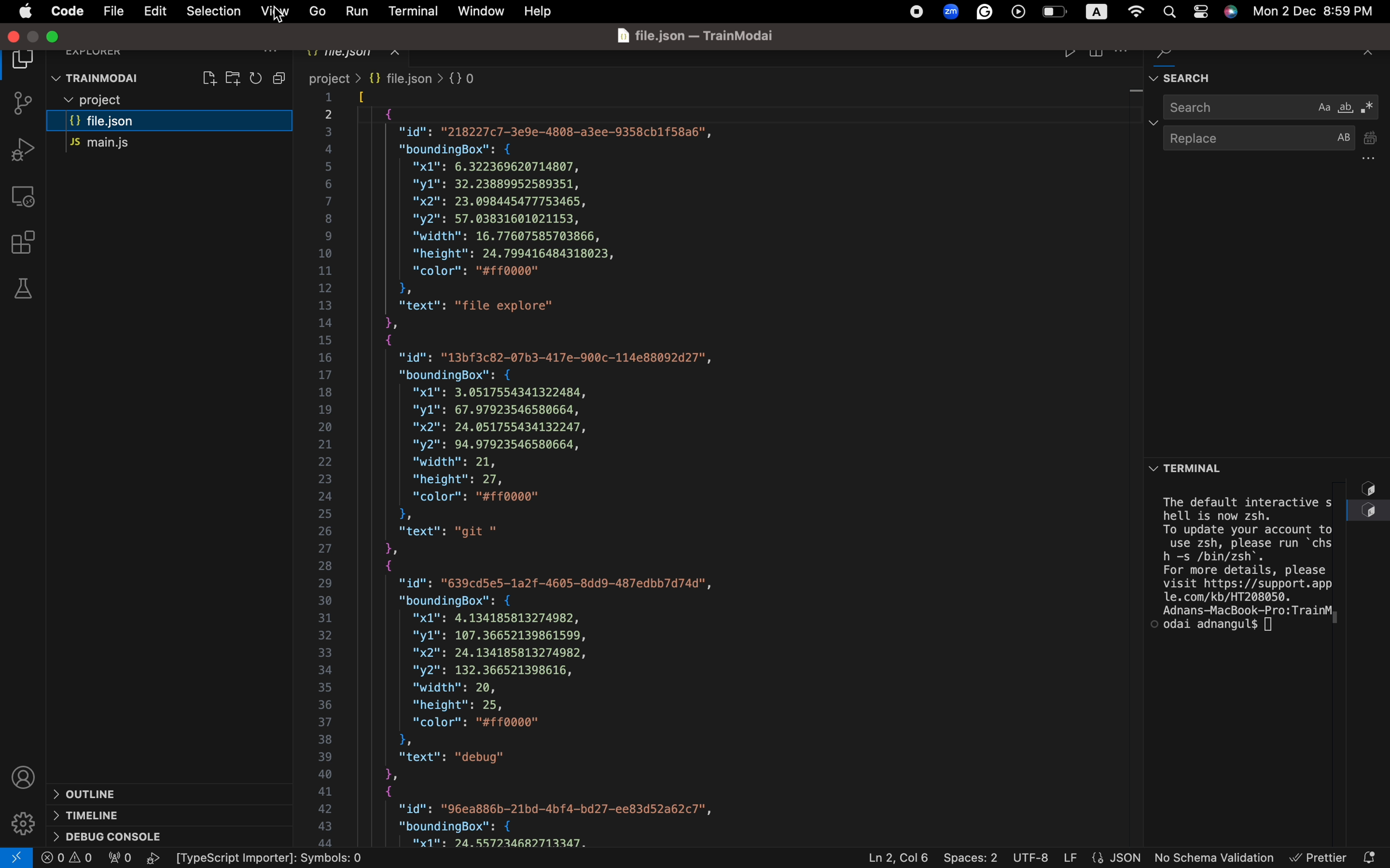 This screenshot has width=1390, height=868. What do you see at coordinates (281, 16) in the screenshot?
I see `cursor` at bounding box center [281, 16].